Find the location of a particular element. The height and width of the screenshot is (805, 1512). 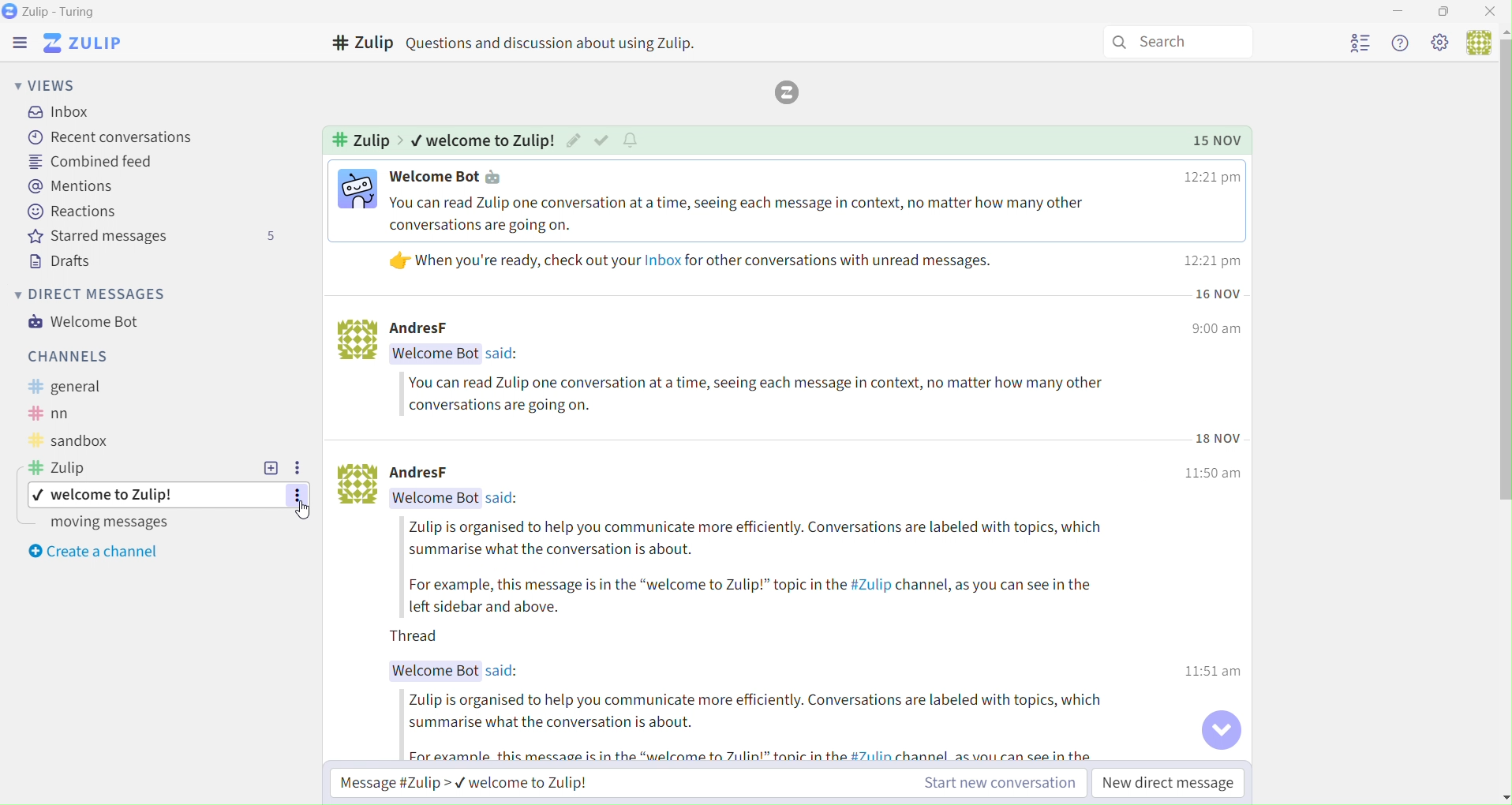

Text is located at coordinates (562, 43).